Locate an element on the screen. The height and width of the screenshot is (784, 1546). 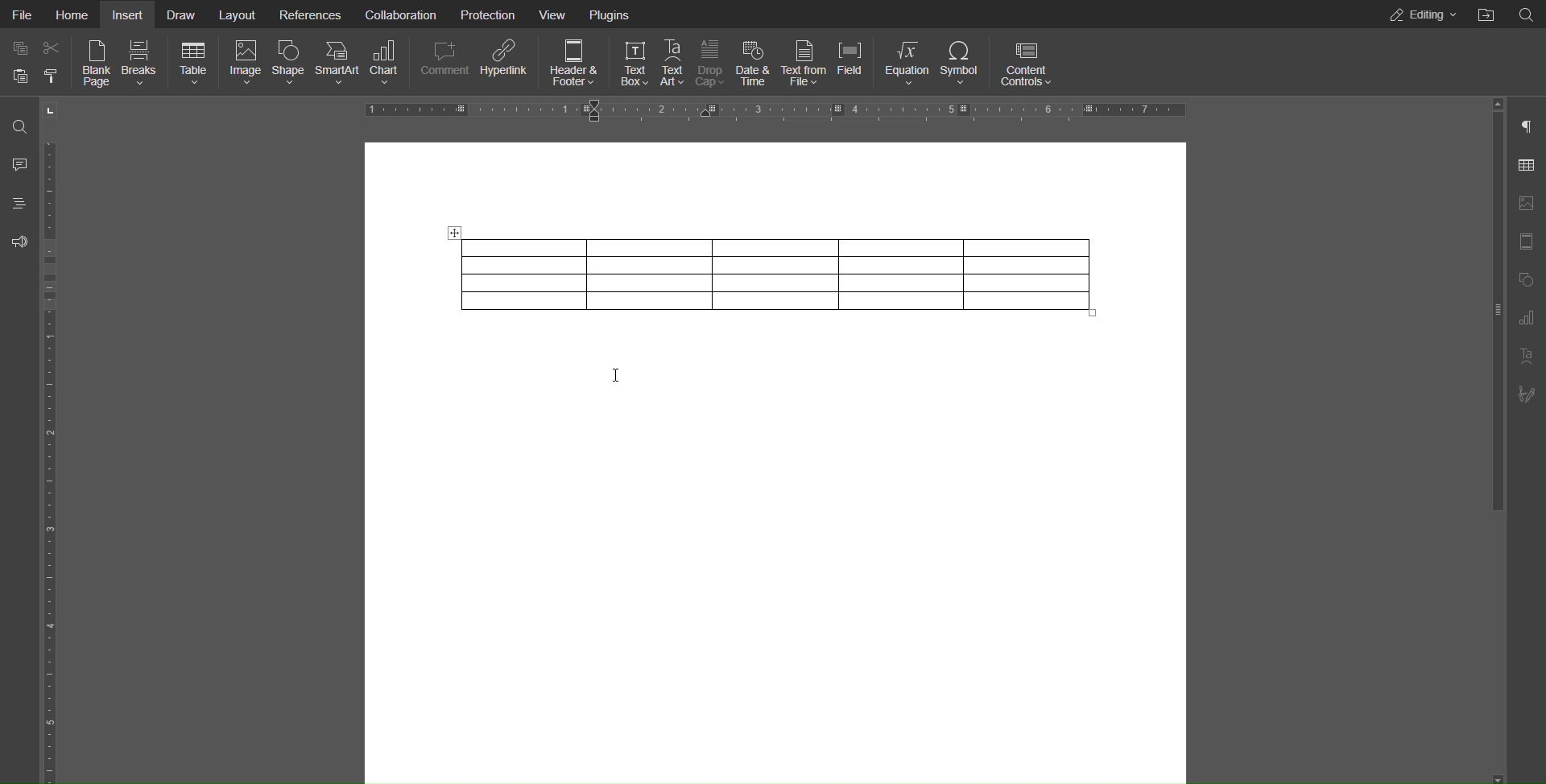
Header Footer Settings is located at coordinates (1527, 243).